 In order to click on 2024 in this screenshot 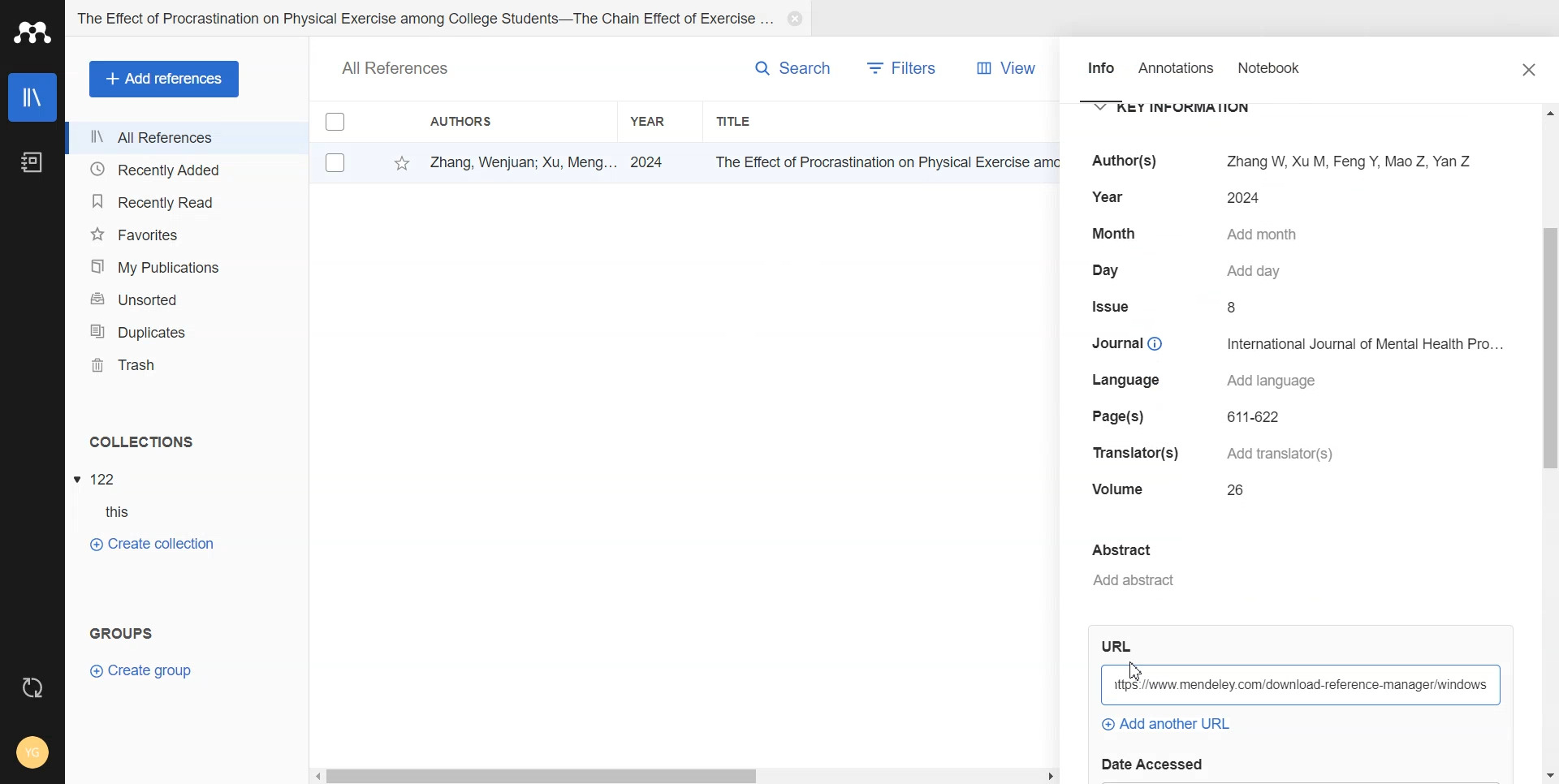, I will do `click(653, 161)`.